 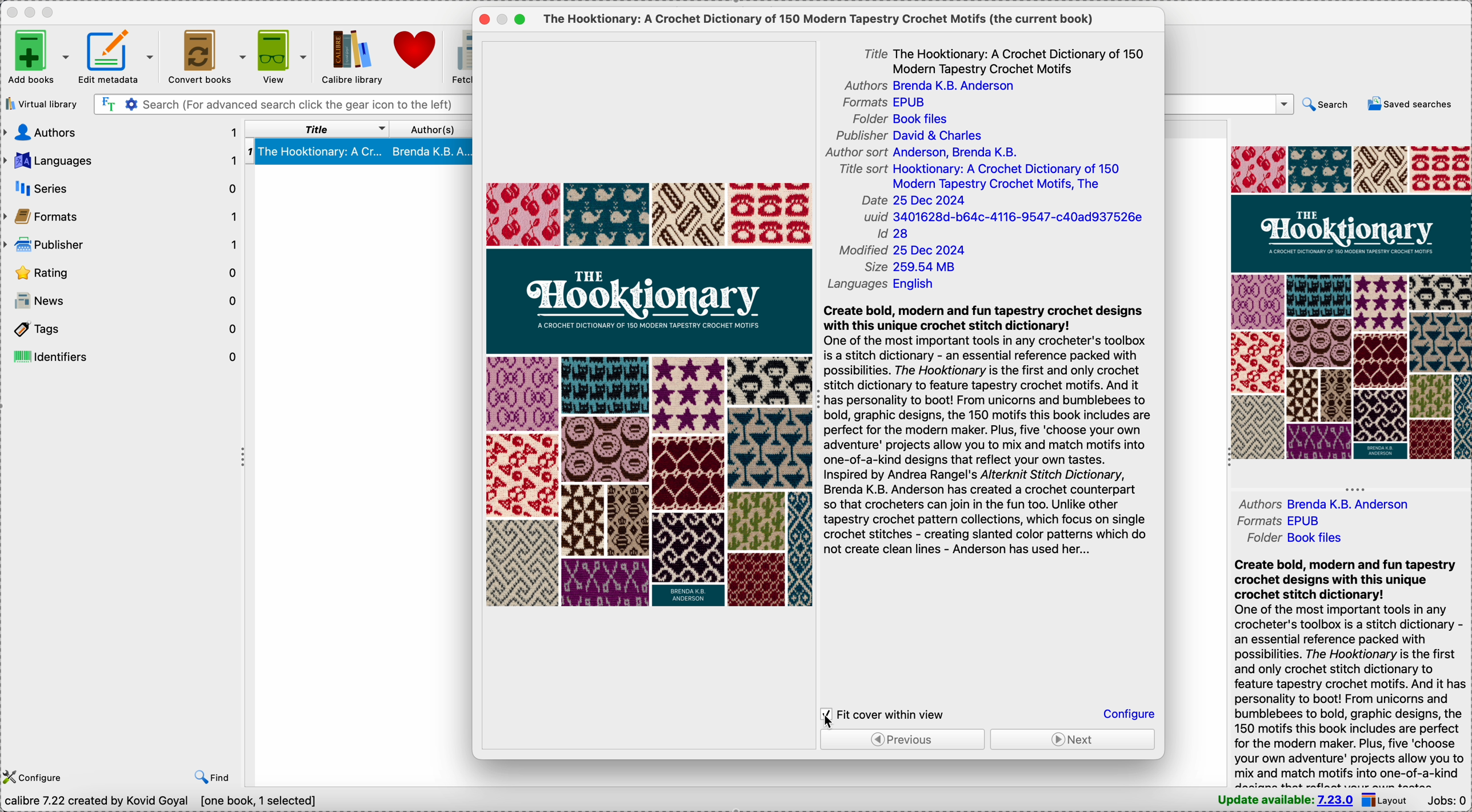 I want to click on languages, so click(x=122, y=158).